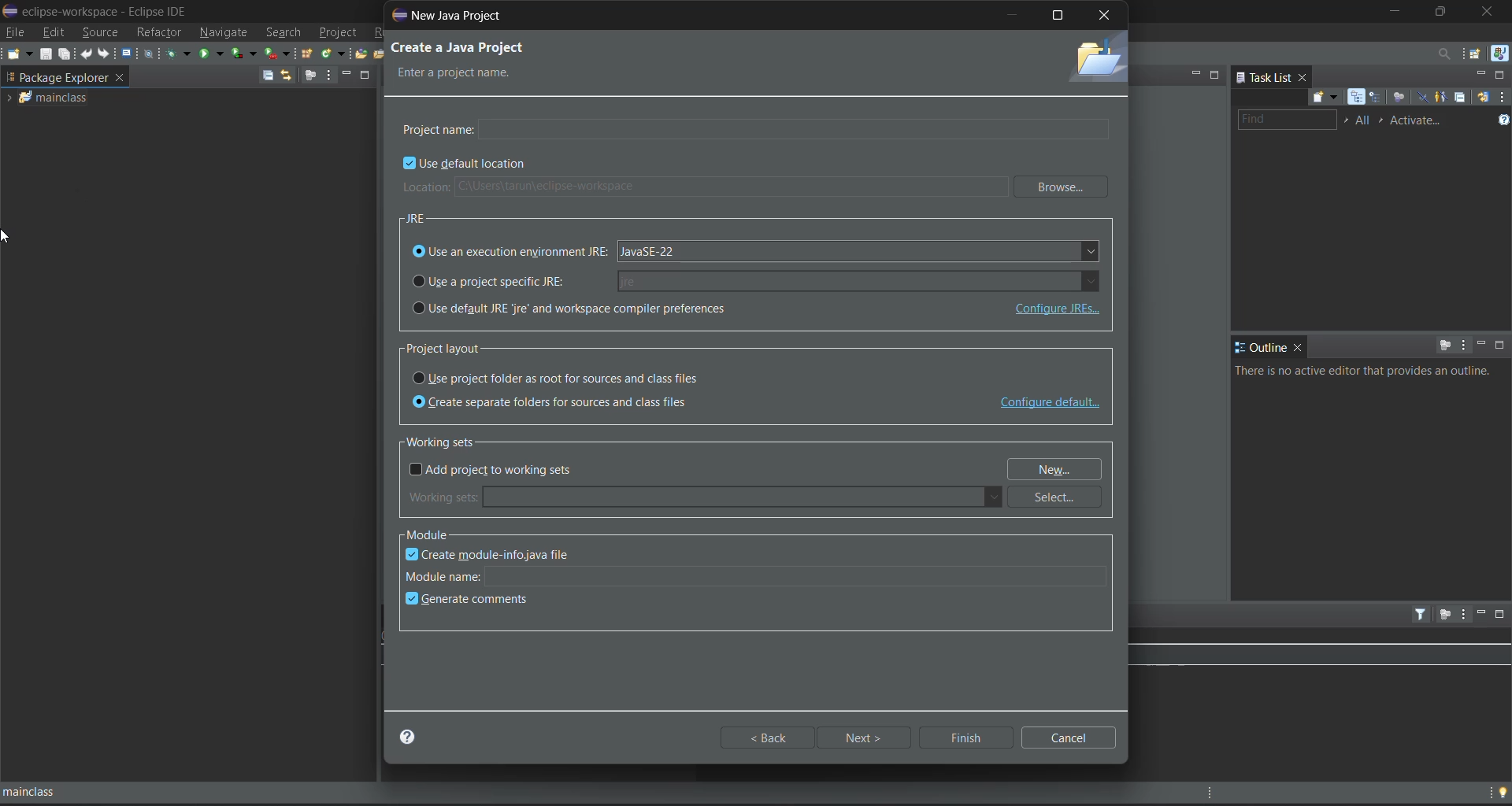 The width and height of the screenshot is (1512, 806). Describe the element at coordinates (55, 31) in the screenshot. I see `edit` at that location.